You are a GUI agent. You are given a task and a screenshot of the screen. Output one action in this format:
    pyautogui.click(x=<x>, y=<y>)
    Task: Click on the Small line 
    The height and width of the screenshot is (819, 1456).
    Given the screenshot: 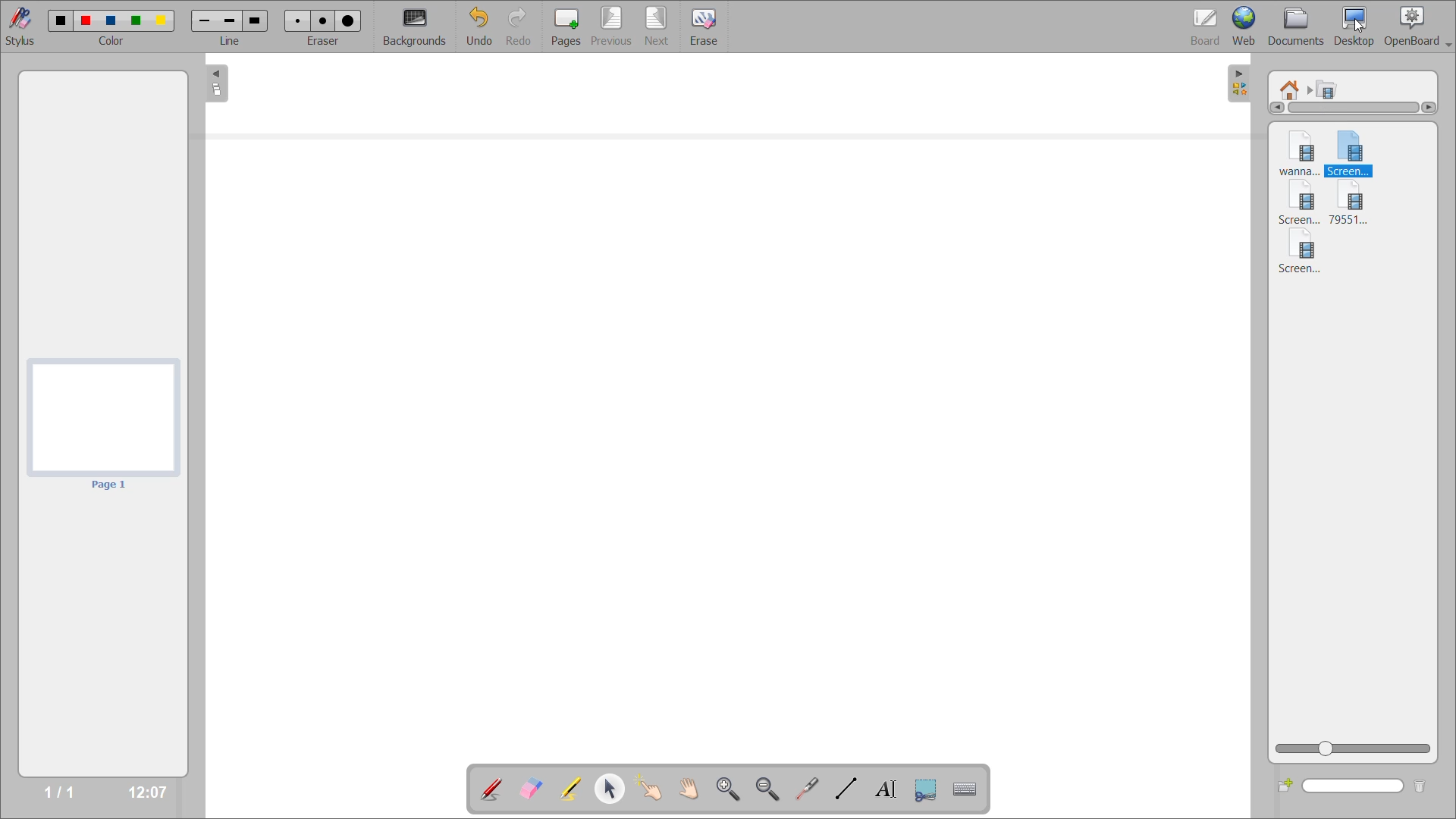 What is the action you would take?
    pyautogui.click(x=203, y=20)
    